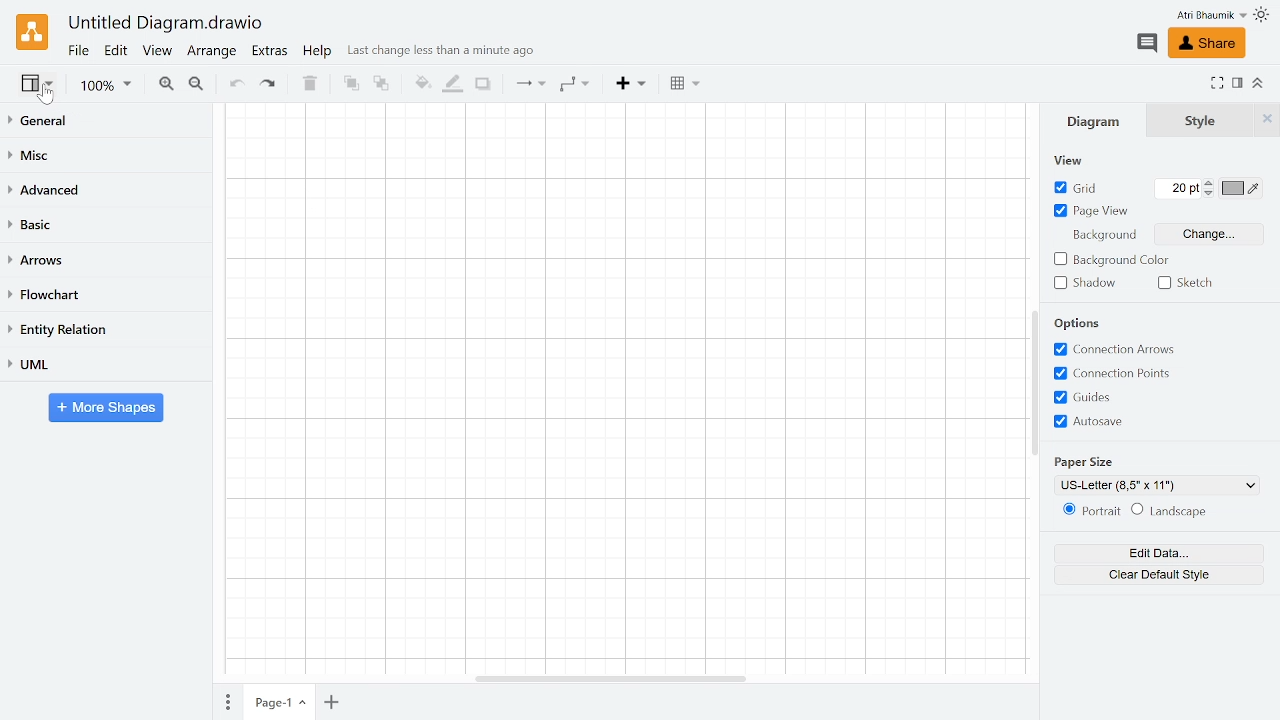 This screenshot has height=720, width=1280. What do you see at coordinates (1171, 512) in the screenshot?
I see `Landscape` at bounding box center [1171, 512].